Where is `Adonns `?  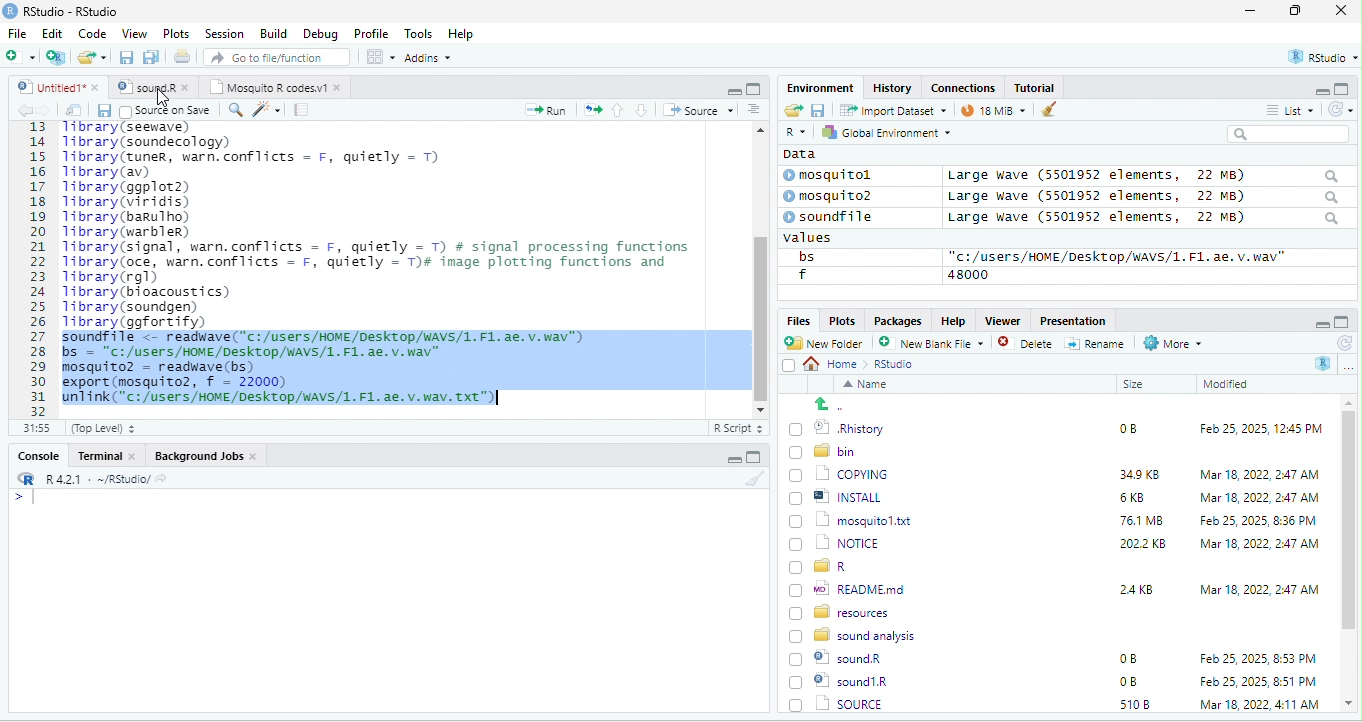 Adonns  is located at coordinates (428, 61).